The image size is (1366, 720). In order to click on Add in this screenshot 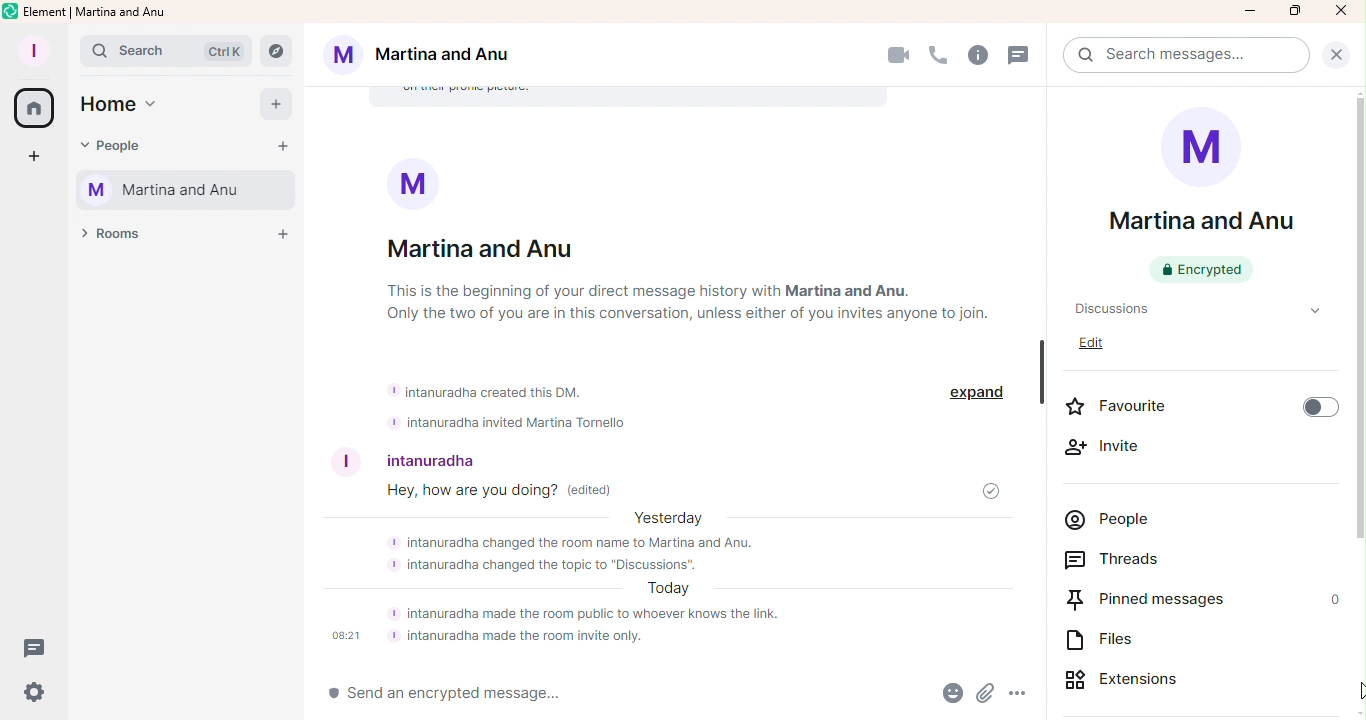, I will do `click(280, 106)`.